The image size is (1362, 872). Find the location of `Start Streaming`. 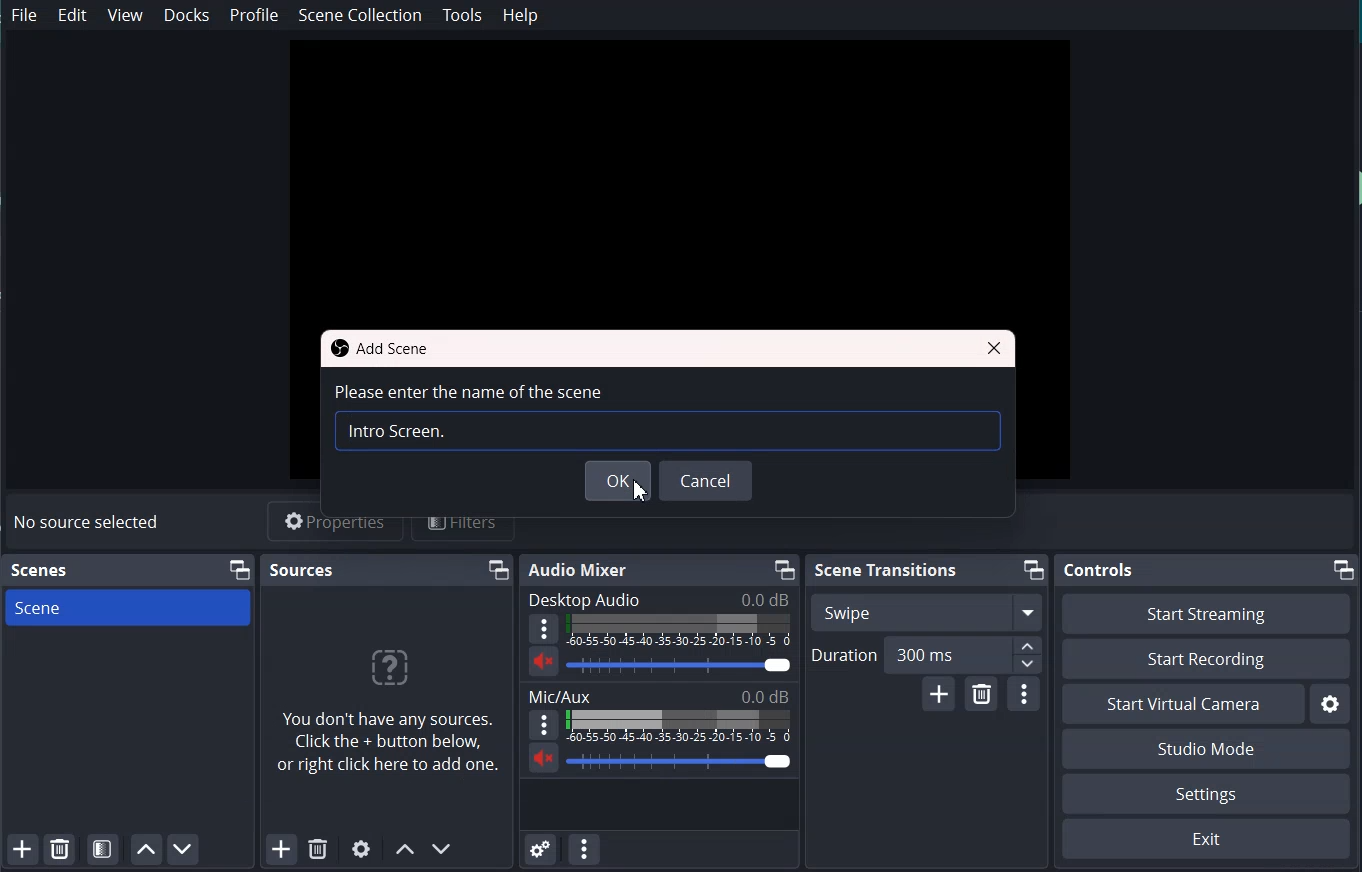

Start Streaming is located at coordinates (1206, 613).